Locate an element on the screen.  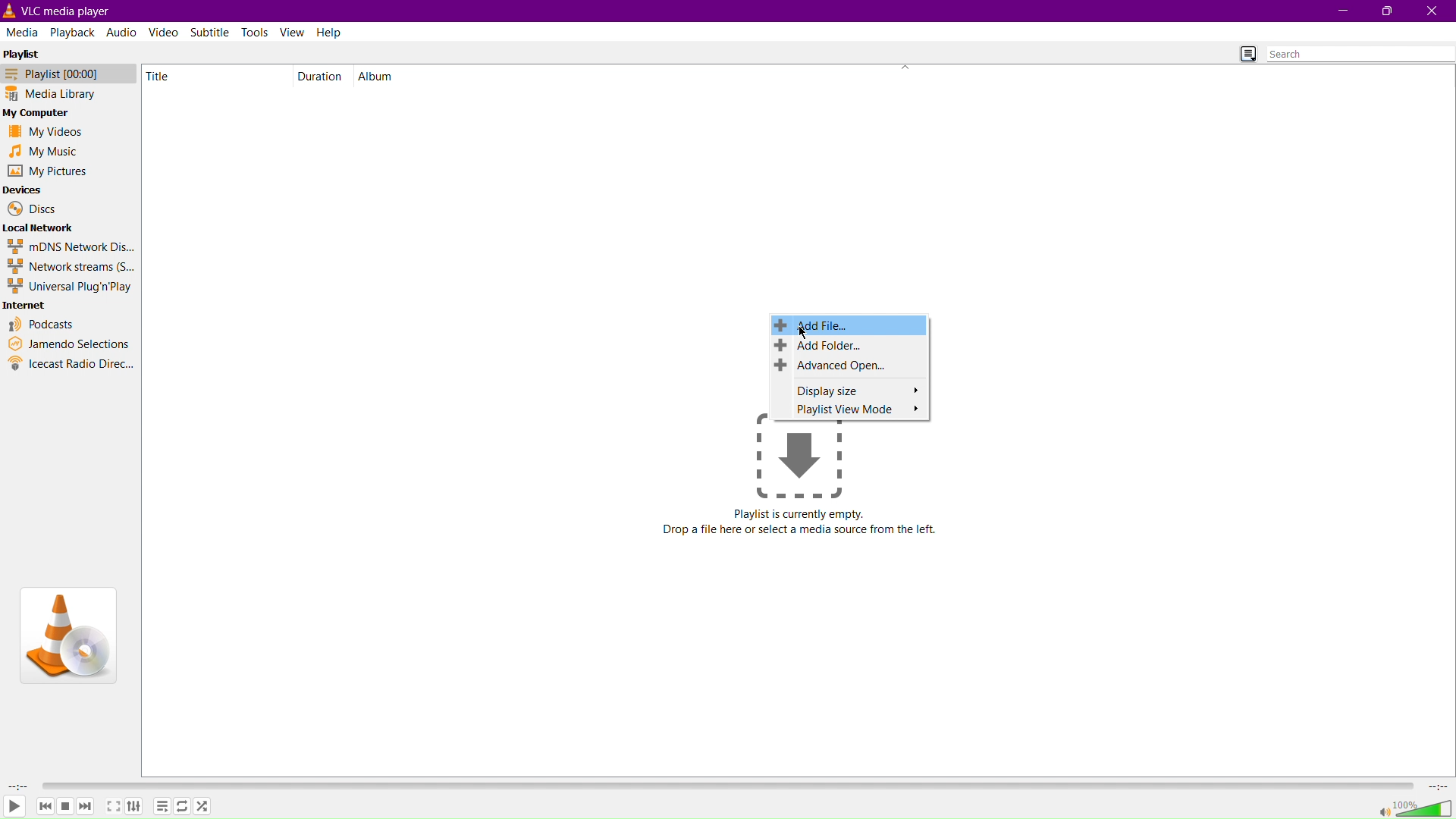
Video is located at coordinates (165, 32).